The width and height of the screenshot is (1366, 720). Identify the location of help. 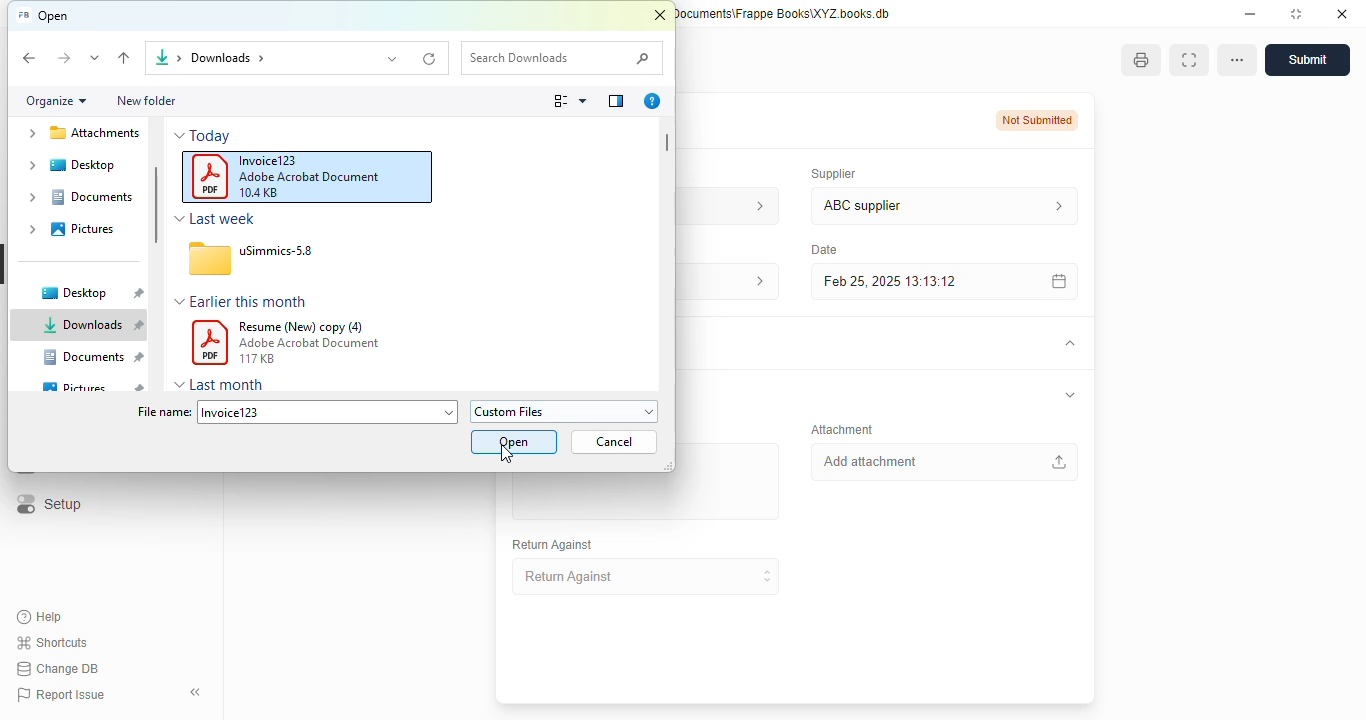
(40, 617).